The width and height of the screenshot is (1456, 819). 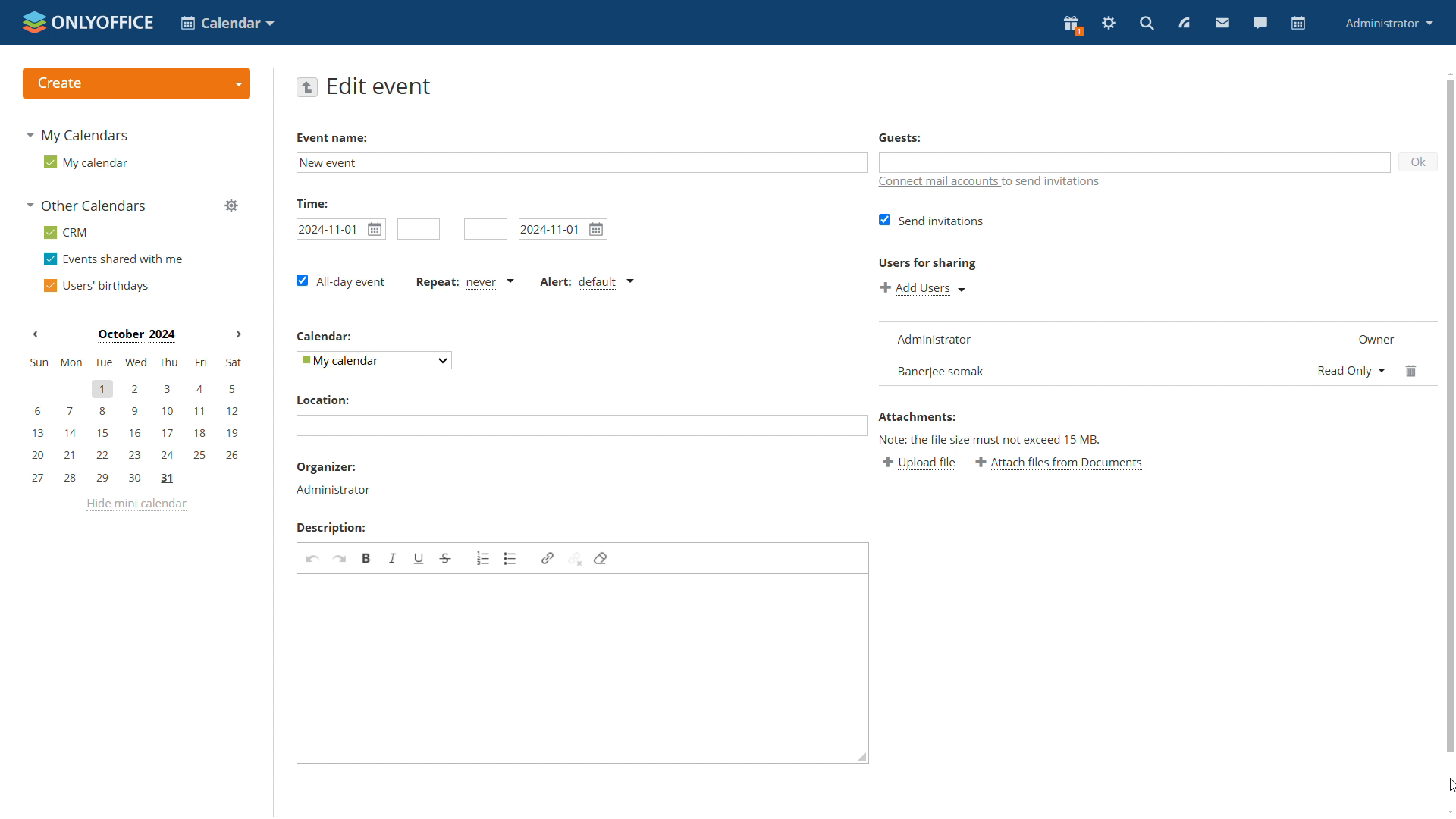 What do you see at coordinates (1299, 24) in the screenshot?
I see `calendar` at bounding box center [1299, 24].